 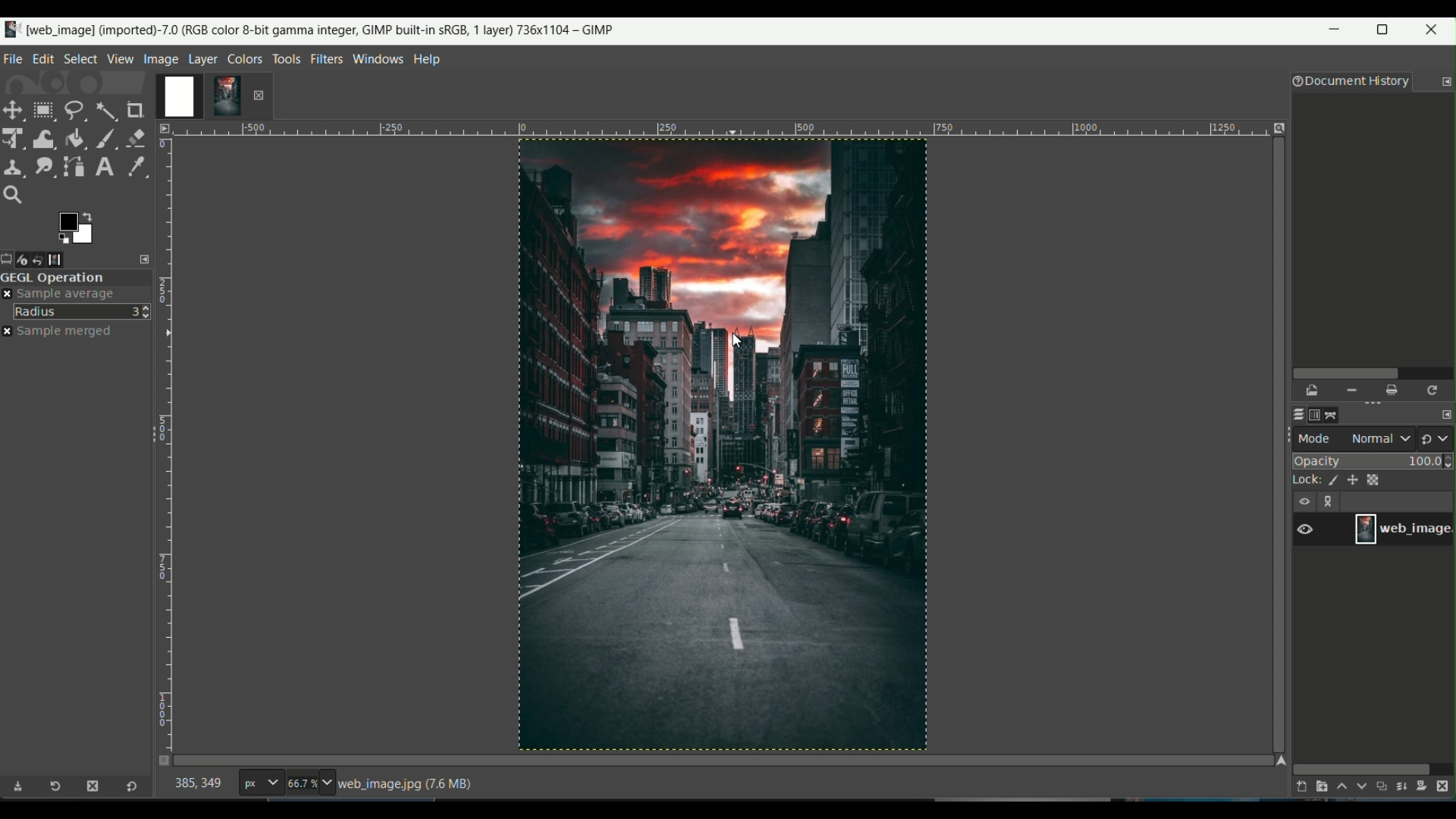 I want to click on image tab, so click(x=161, y=58).